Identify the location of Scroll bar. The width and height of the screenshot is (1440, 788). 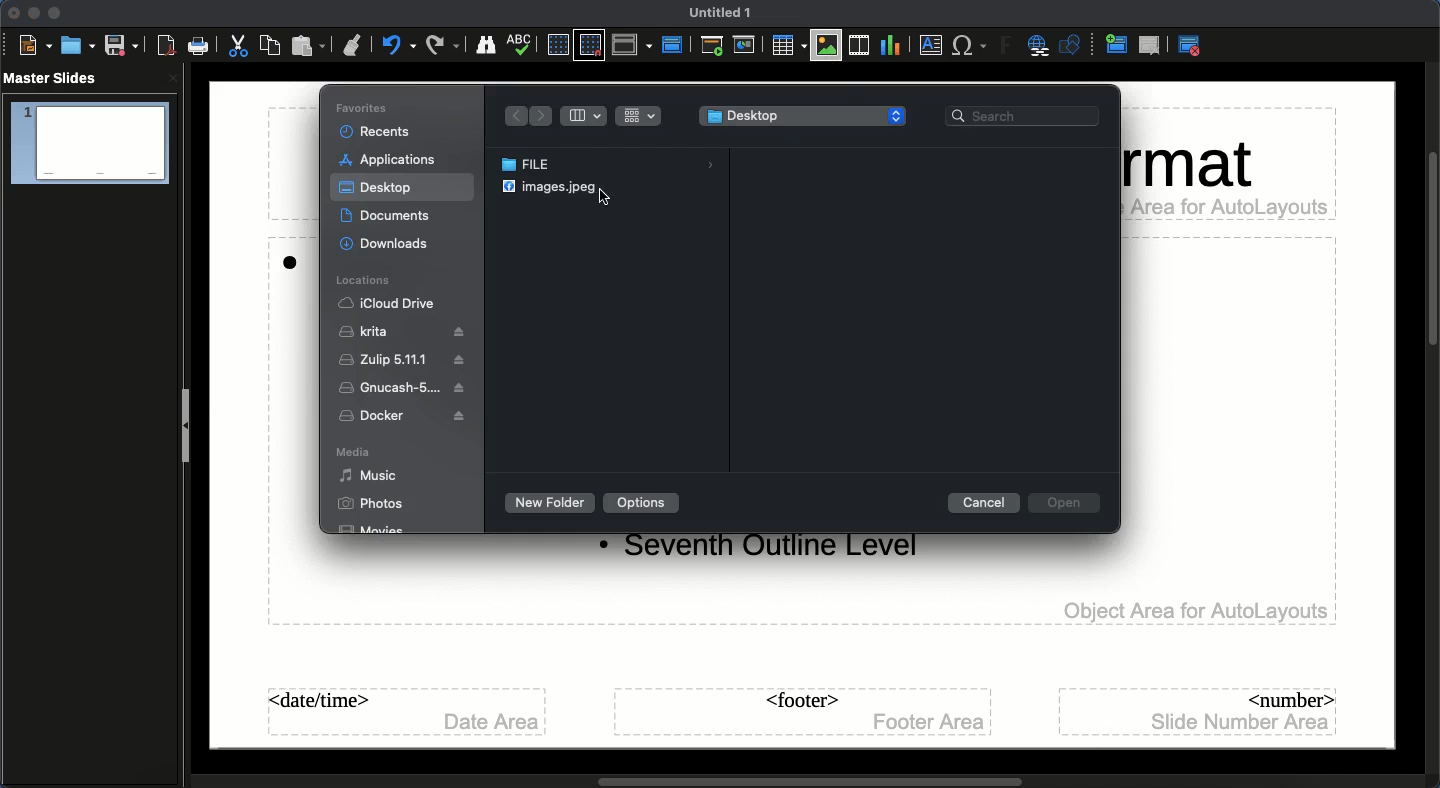
(1431, 249).